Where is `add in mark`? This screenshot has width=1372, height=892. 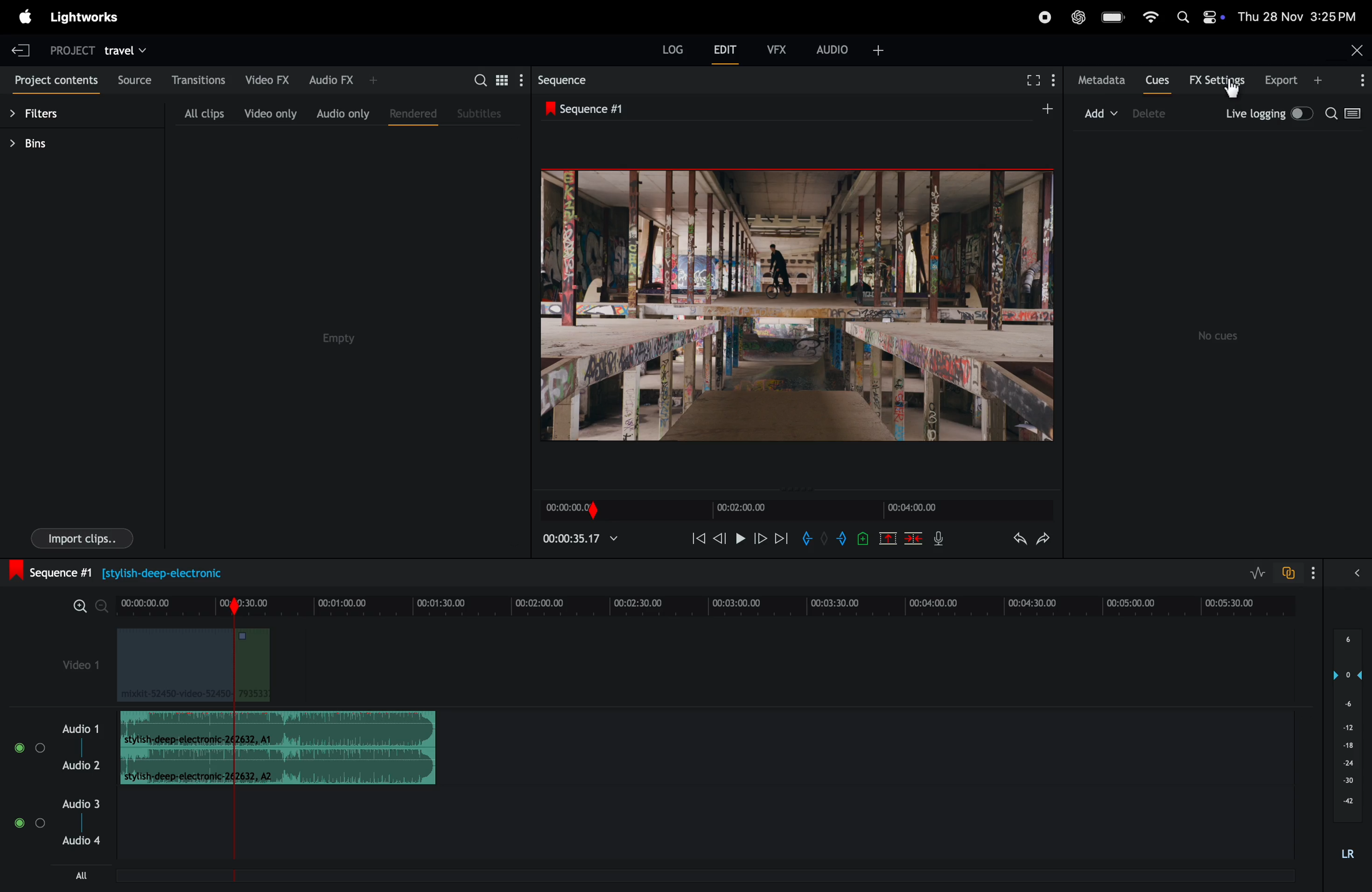 add in mark is located at coordinates (808, 541).